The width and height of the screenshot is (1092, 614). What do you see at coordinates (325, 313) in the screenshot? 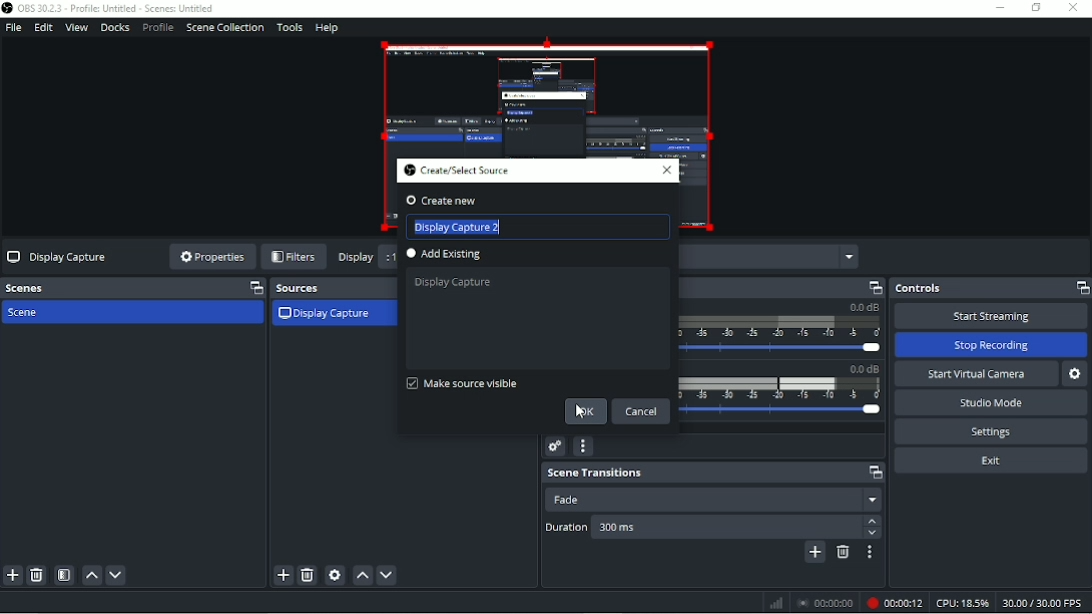
I see `Display Capture` at bounding box center [325, 313].